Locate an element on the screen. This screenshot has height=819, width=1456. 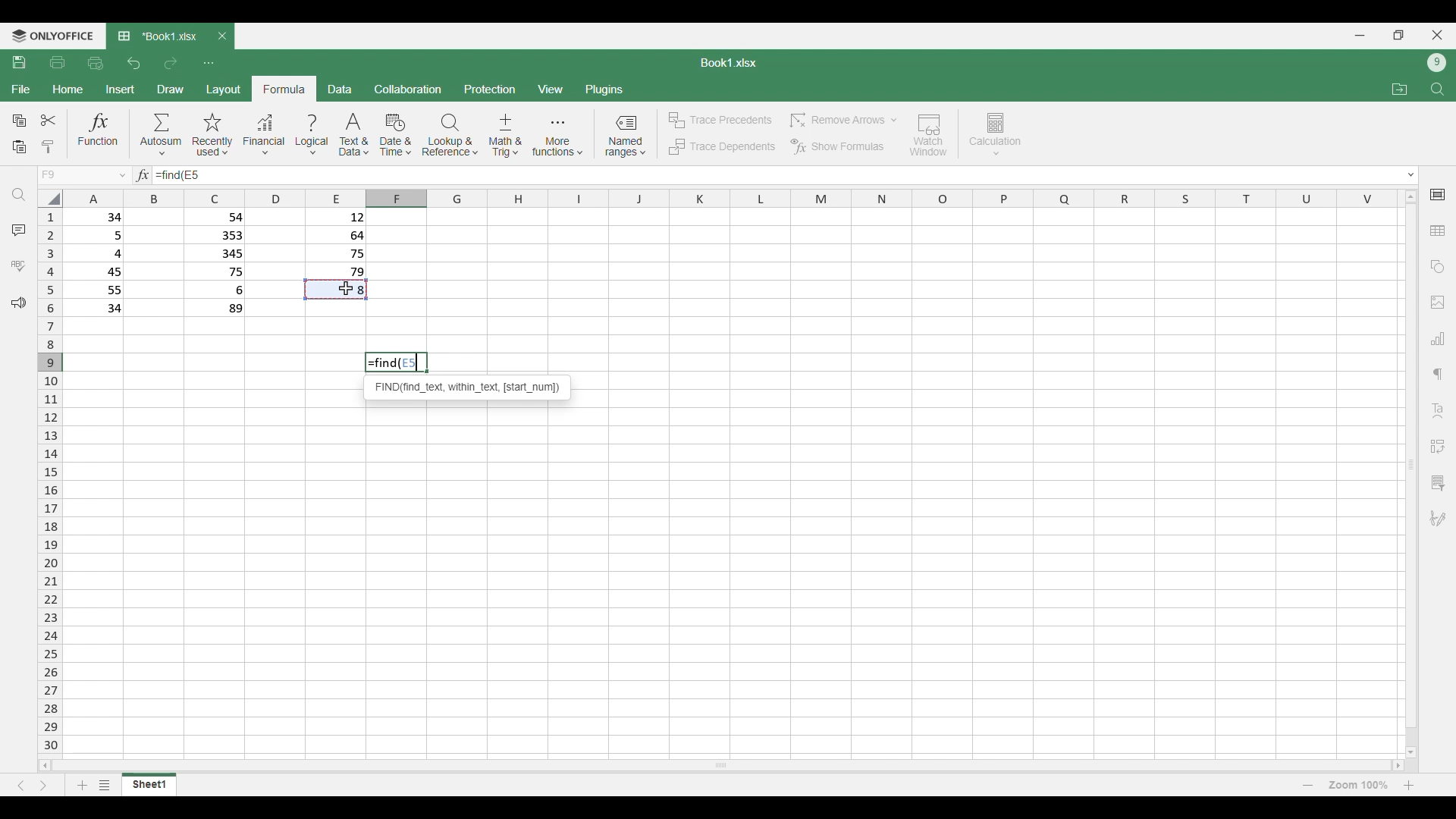
Indicates cell is selected is located at coordinates (336, 290).